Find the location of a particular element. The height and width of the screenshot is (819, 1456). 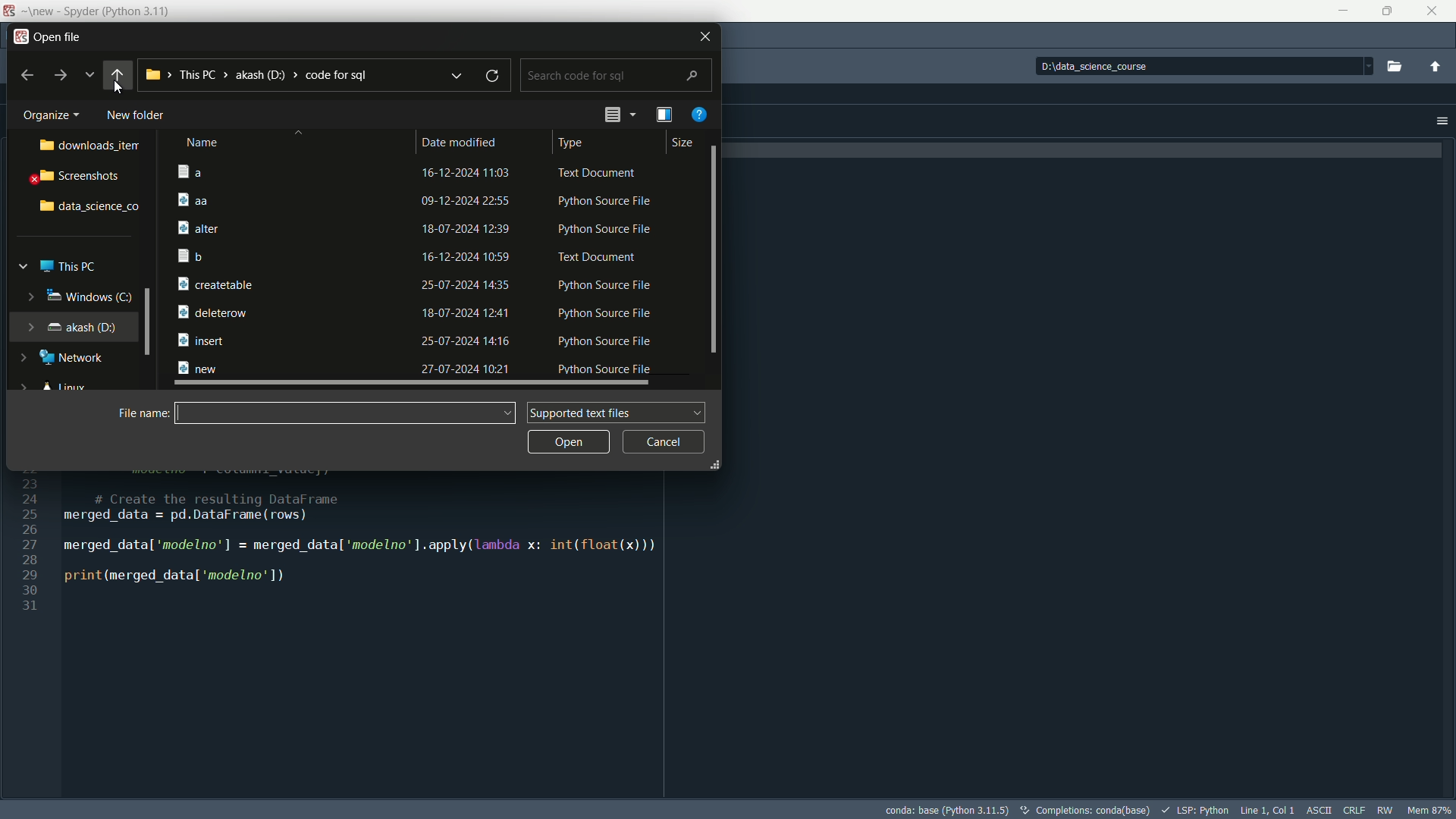

organize is located at coordinates (50, 112).